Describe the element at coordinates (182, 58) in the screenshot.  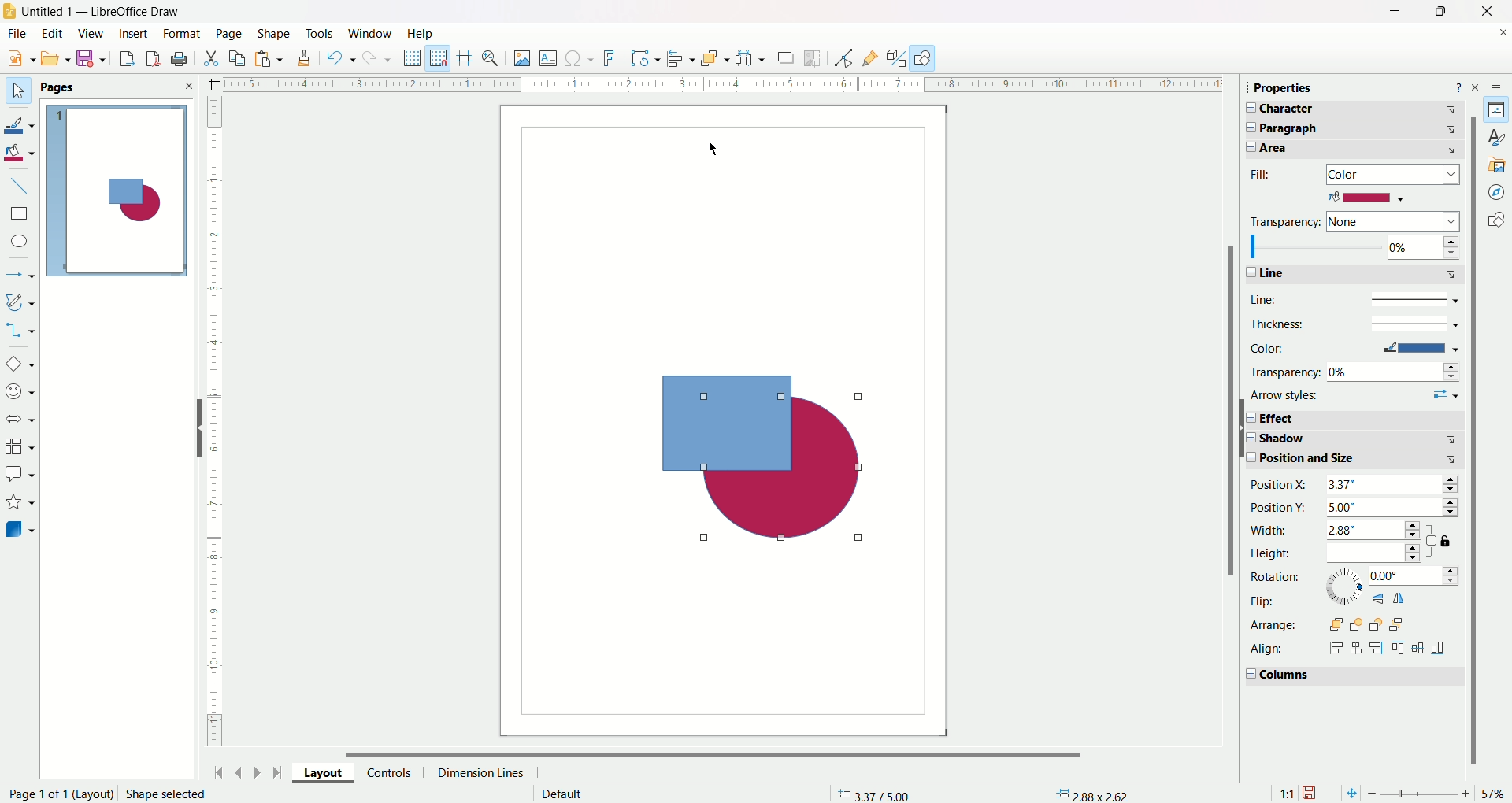
I see `print` at that location.